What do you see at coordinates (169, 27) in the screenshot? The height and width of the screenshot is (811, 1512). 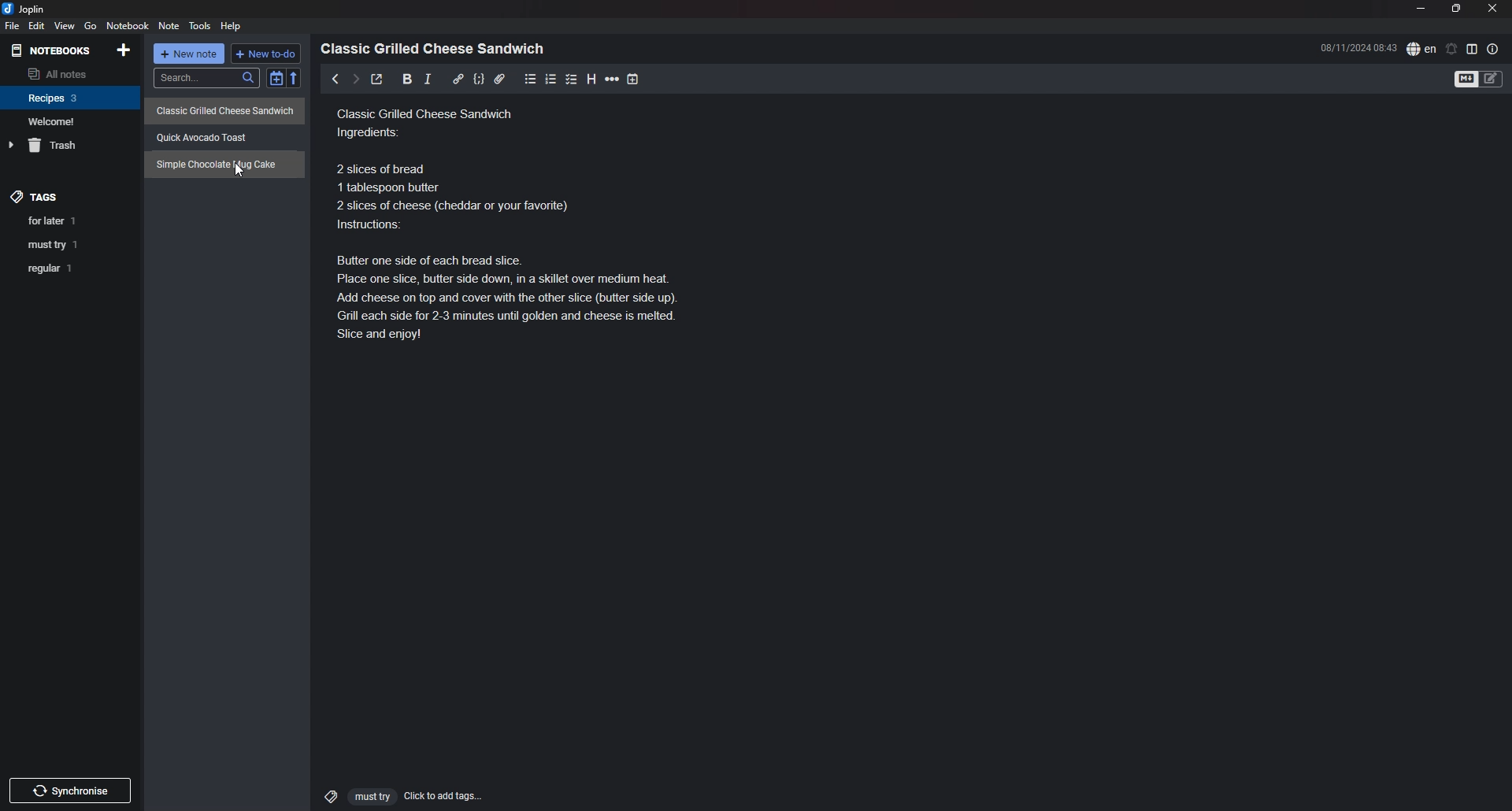 I see `note` at bounding box center [169, 27].